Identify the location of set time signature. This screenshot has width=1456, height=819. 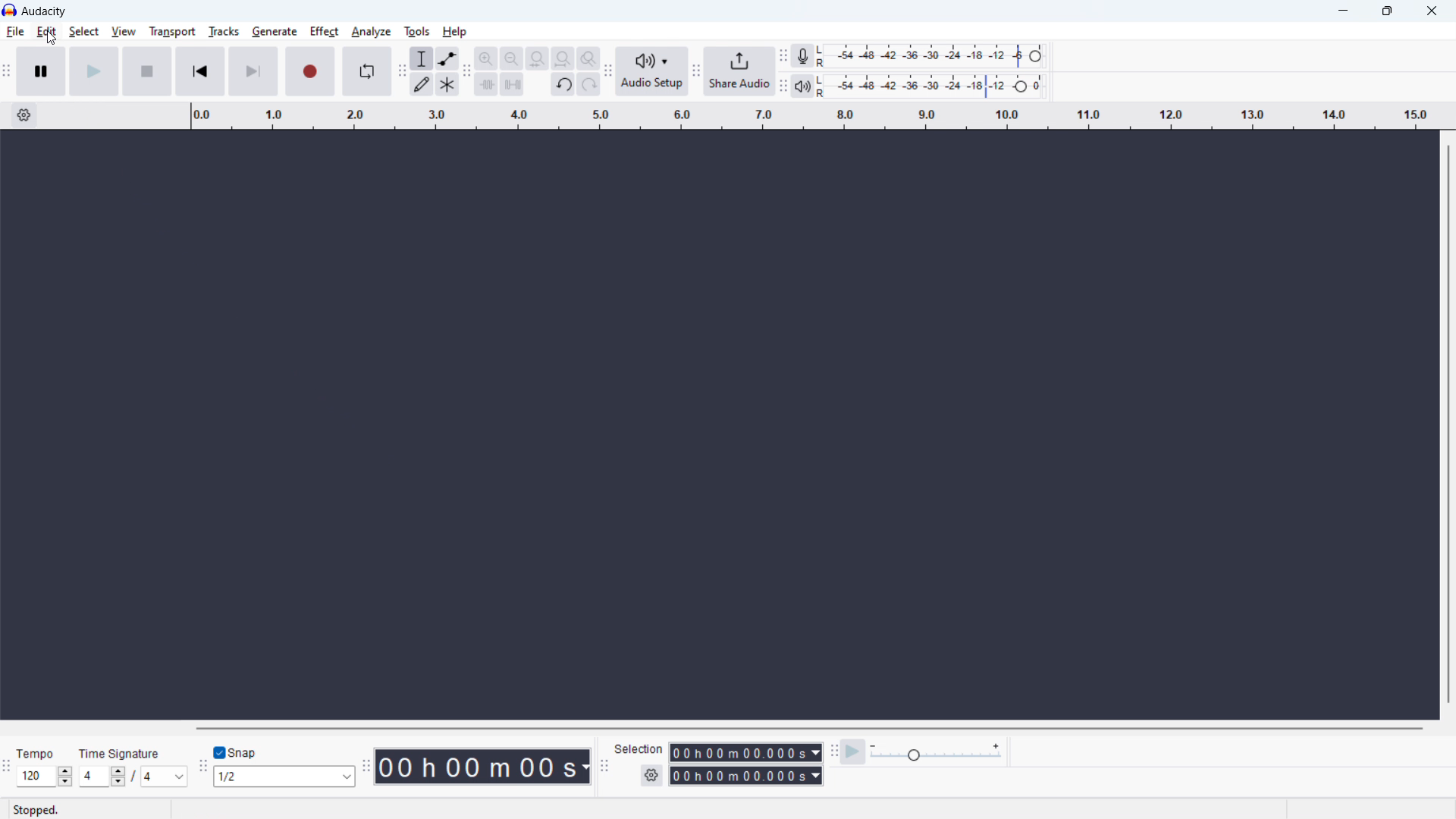
(133, 777).